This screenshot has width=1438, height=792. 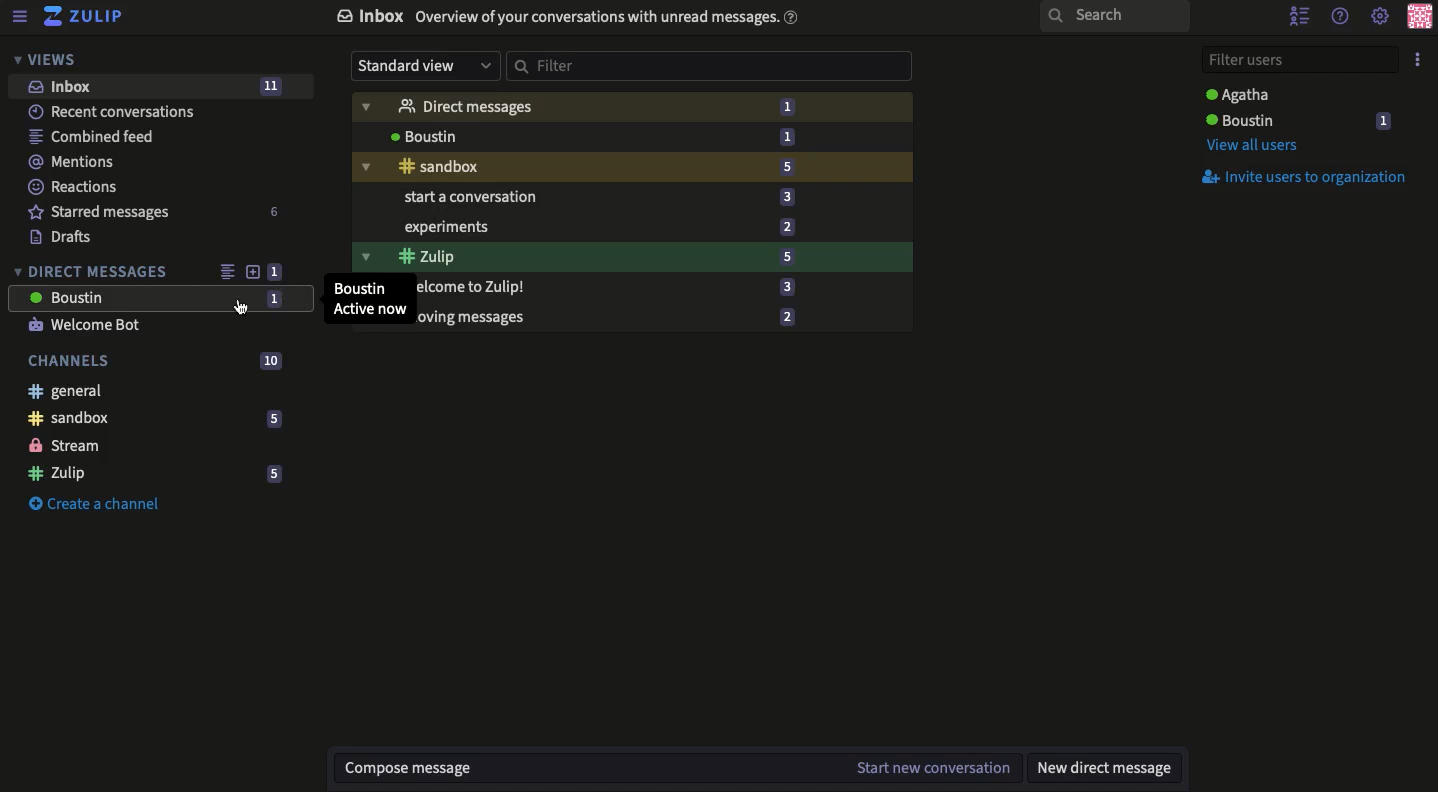 I want to click on User 1, so click(x=1243, y=94).